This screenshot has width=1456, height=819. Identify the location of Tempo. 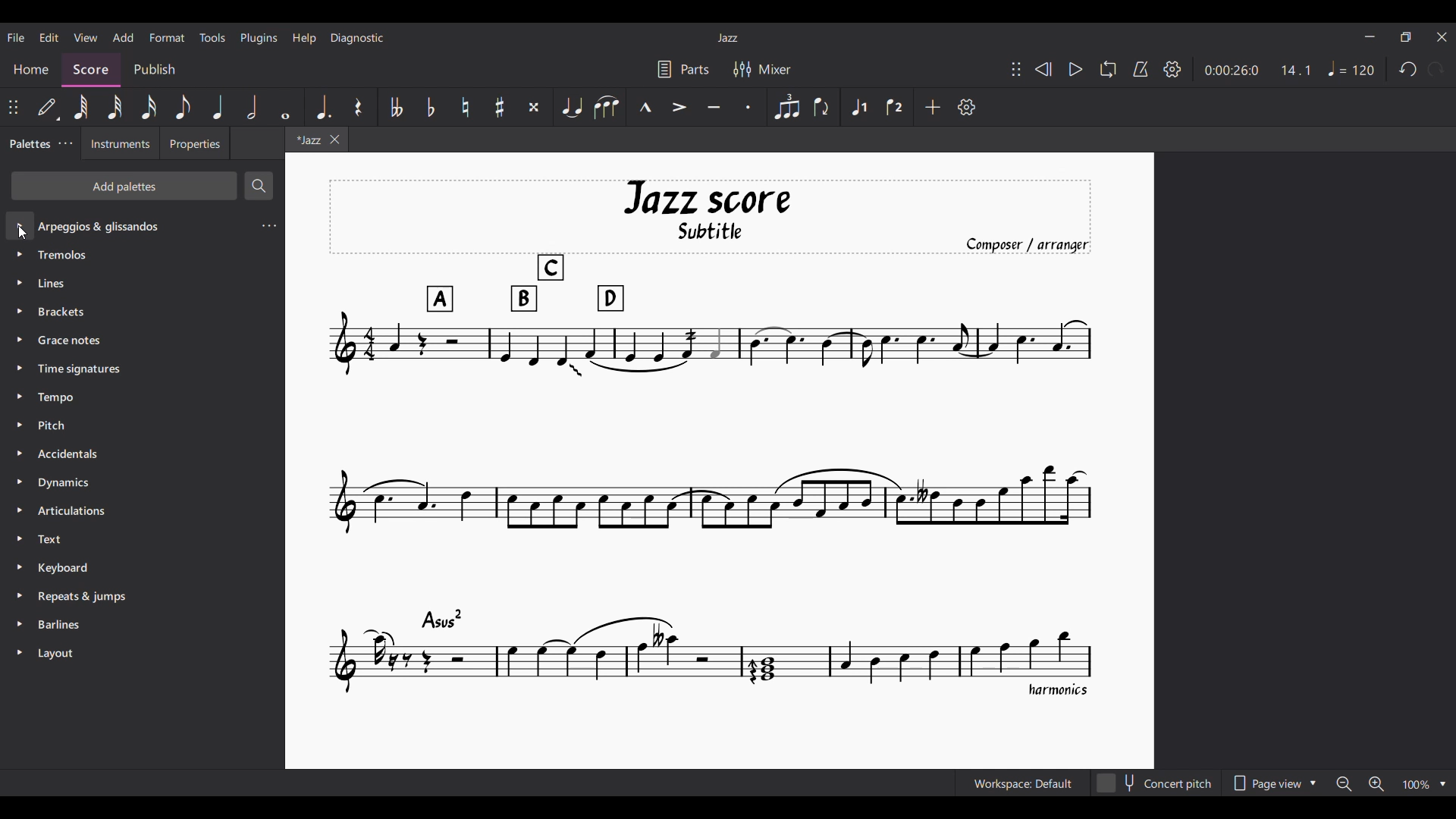
(1351, 68).